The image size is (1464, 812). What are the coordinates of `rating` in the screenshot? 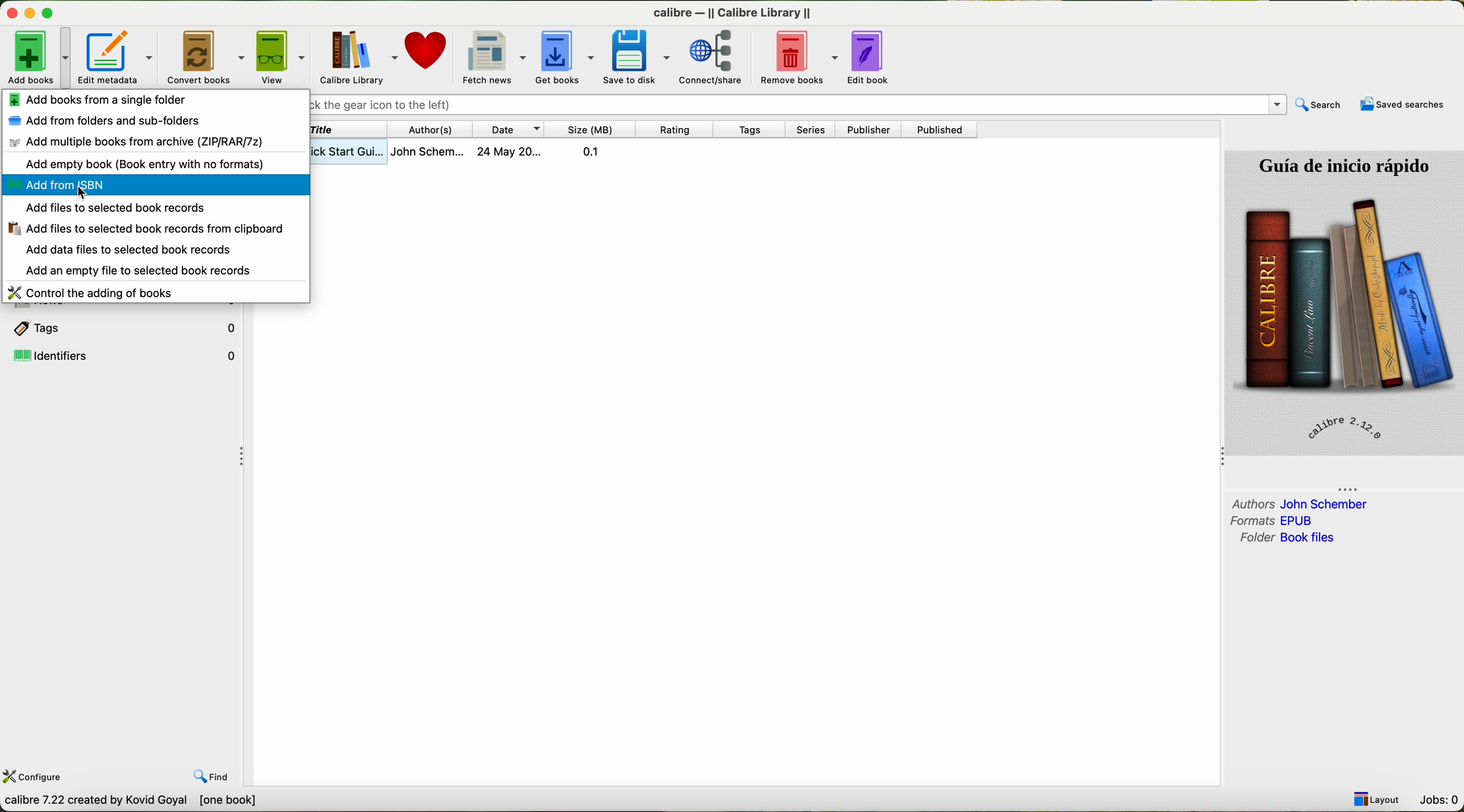 It's located at (675, 130).